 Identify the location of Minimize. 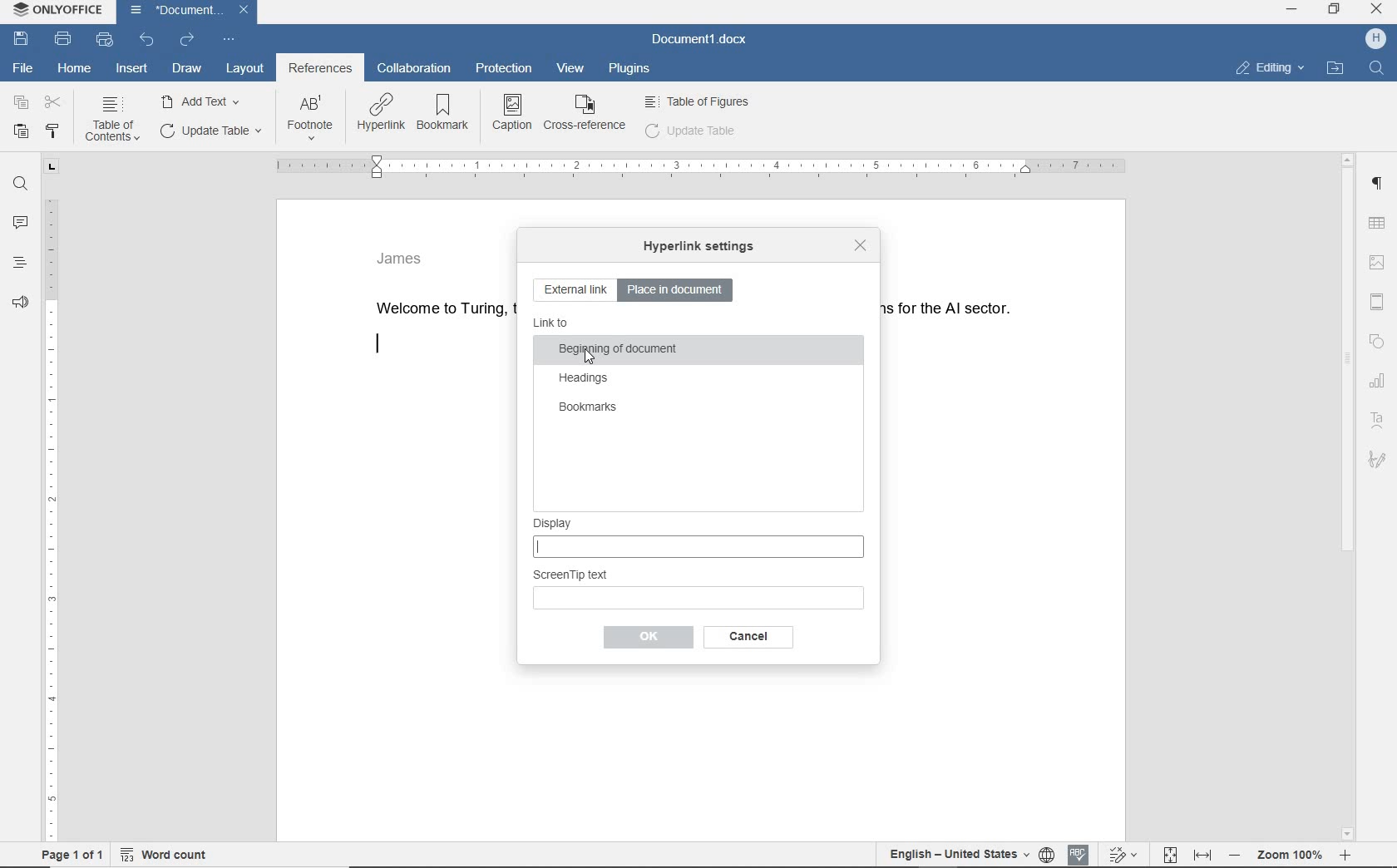
(1294, 13).